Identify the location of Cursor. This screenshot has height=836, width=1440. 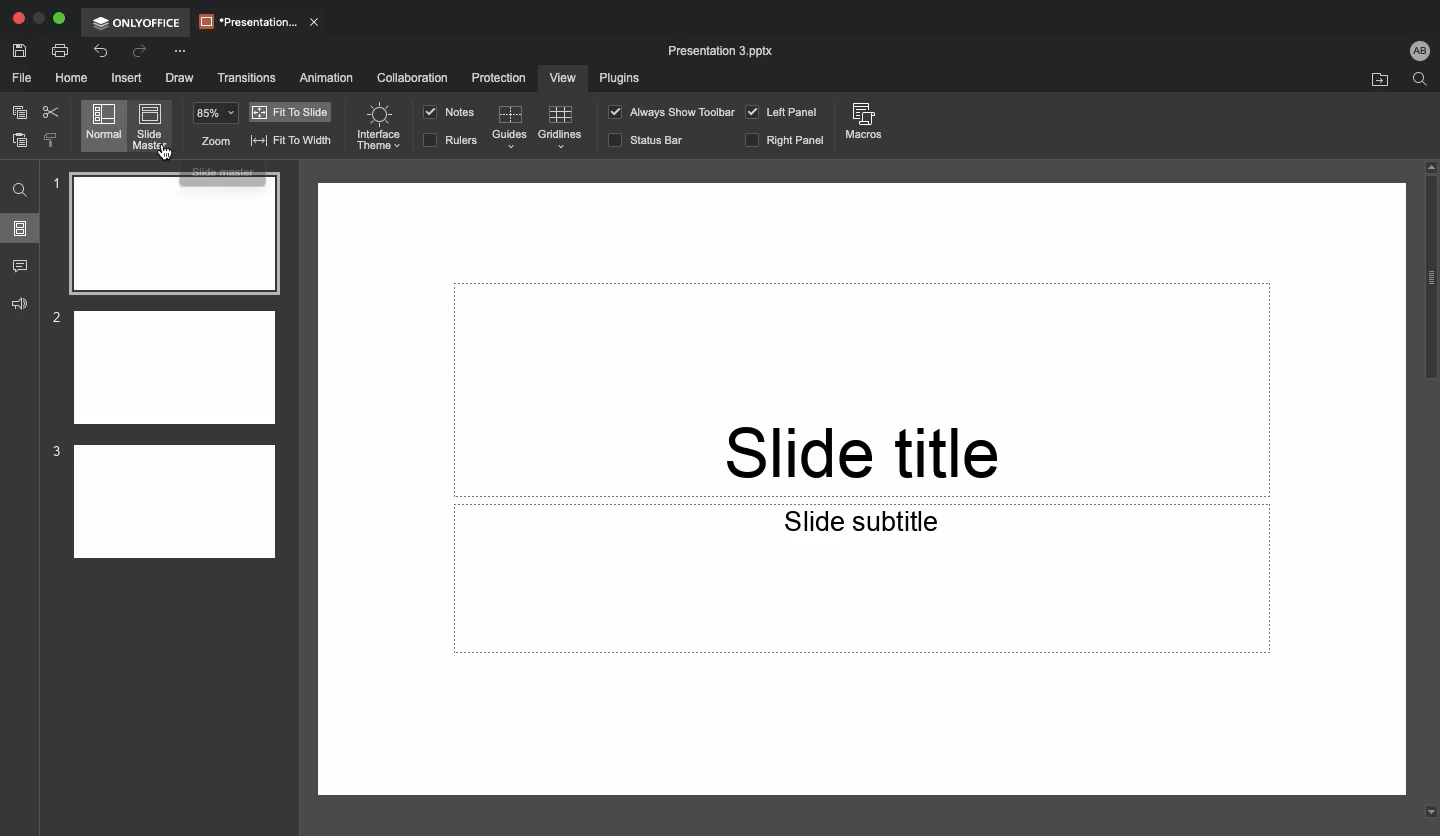
(158, 140).